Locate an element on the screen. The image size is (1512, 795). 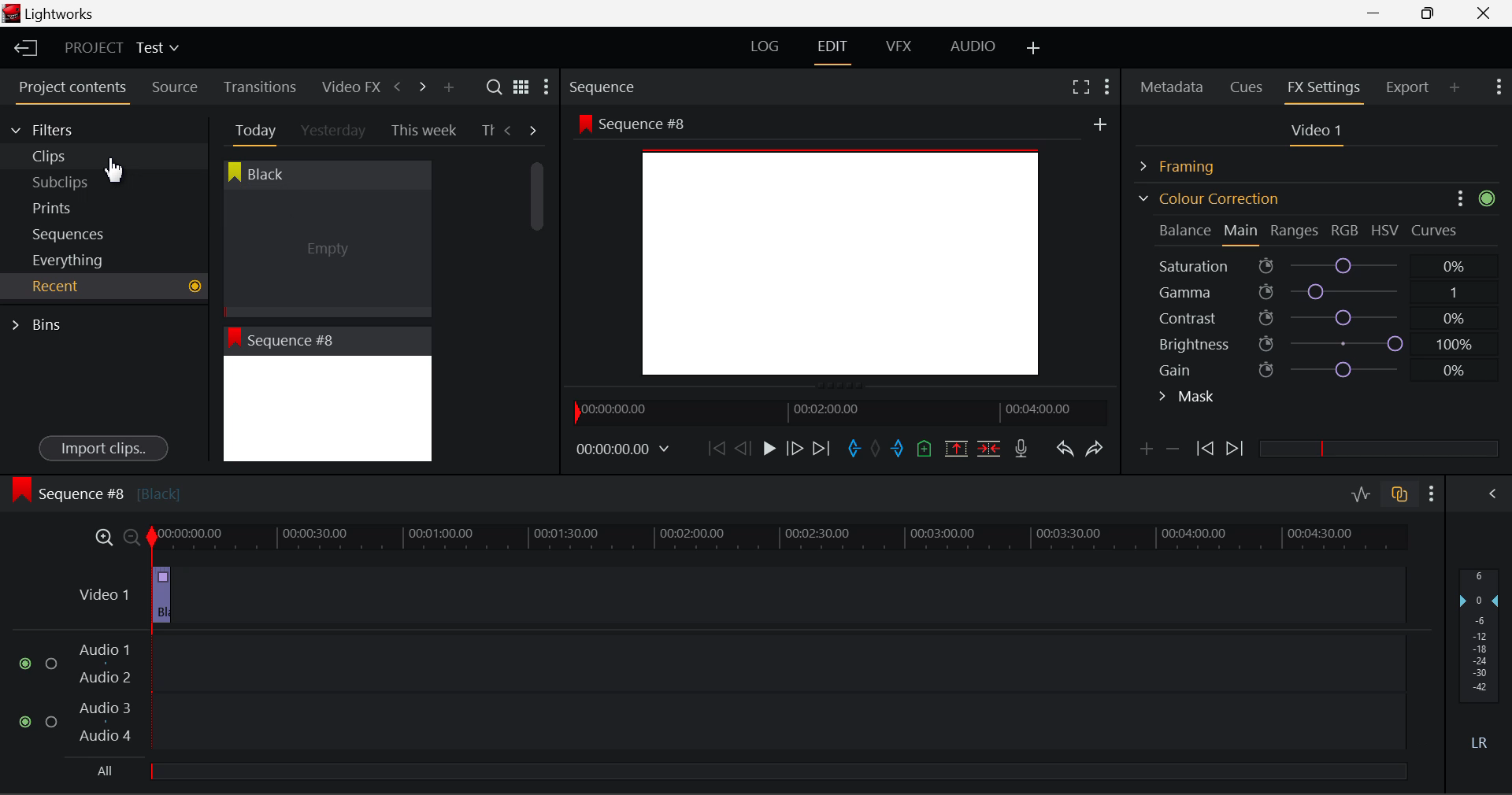
slider is located at coordinates (1378, 448).